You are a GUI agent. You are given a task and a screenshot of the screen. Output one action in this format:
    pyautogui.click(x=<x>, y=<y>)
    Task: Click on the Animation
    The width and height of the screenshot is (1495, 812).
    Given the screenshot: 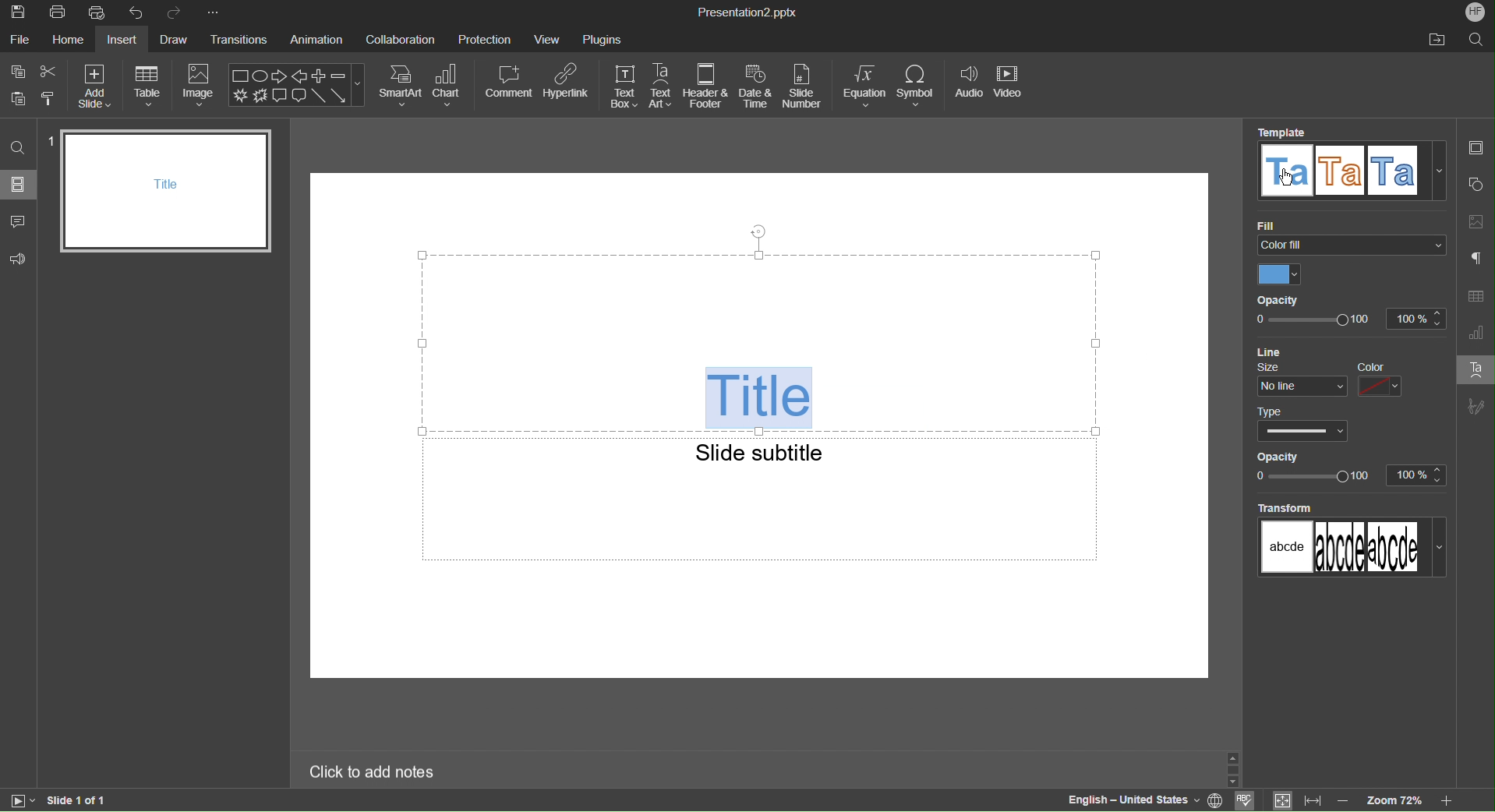 What is the action you would take?
    pyautogui.click(x=314, y=40)
    